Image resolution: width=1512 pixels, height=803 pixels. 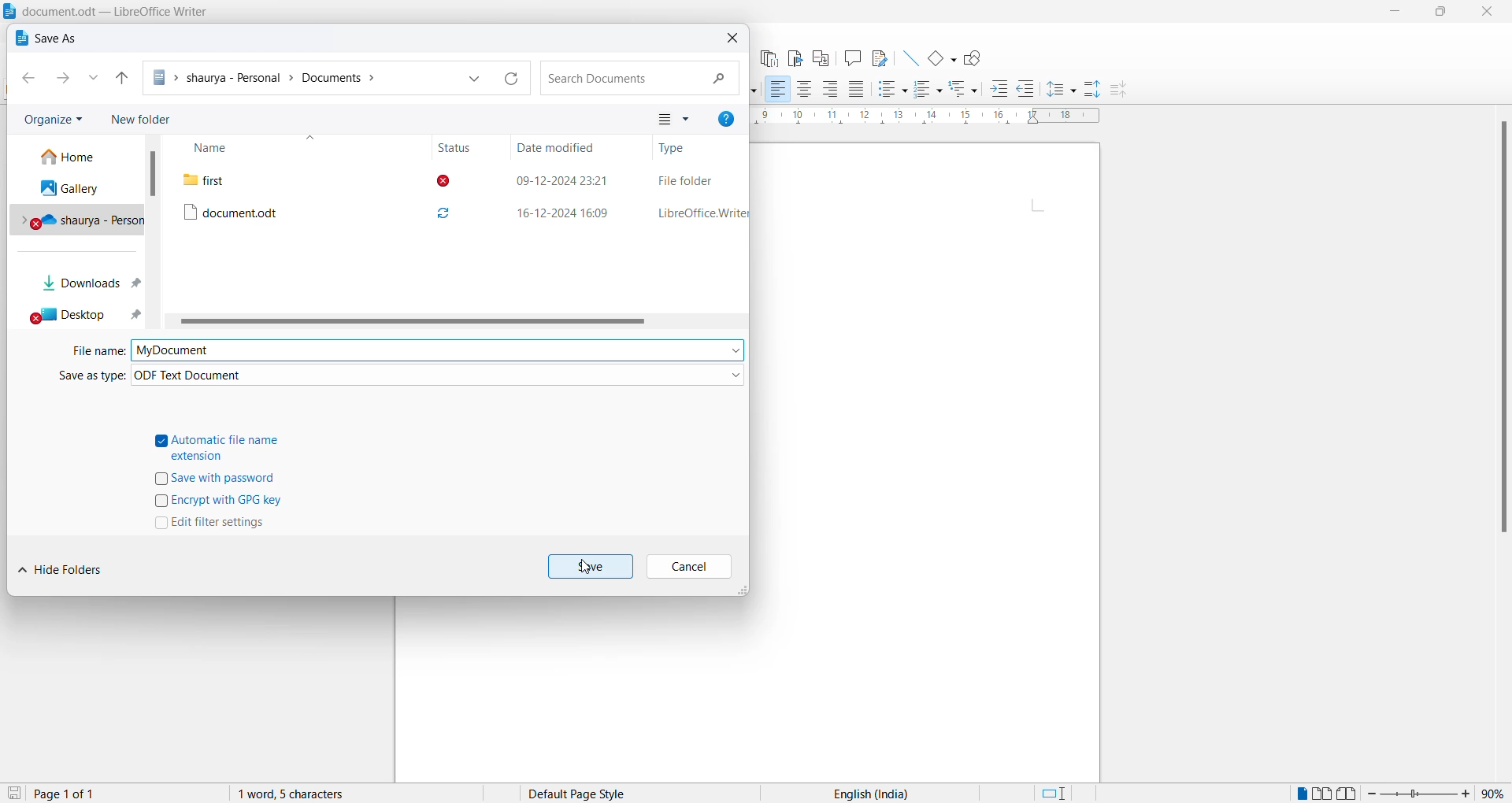 What do you see at coordinates (512, 77) in the screenshot?
I see `Refresh ` at bounding box center [512, 77].